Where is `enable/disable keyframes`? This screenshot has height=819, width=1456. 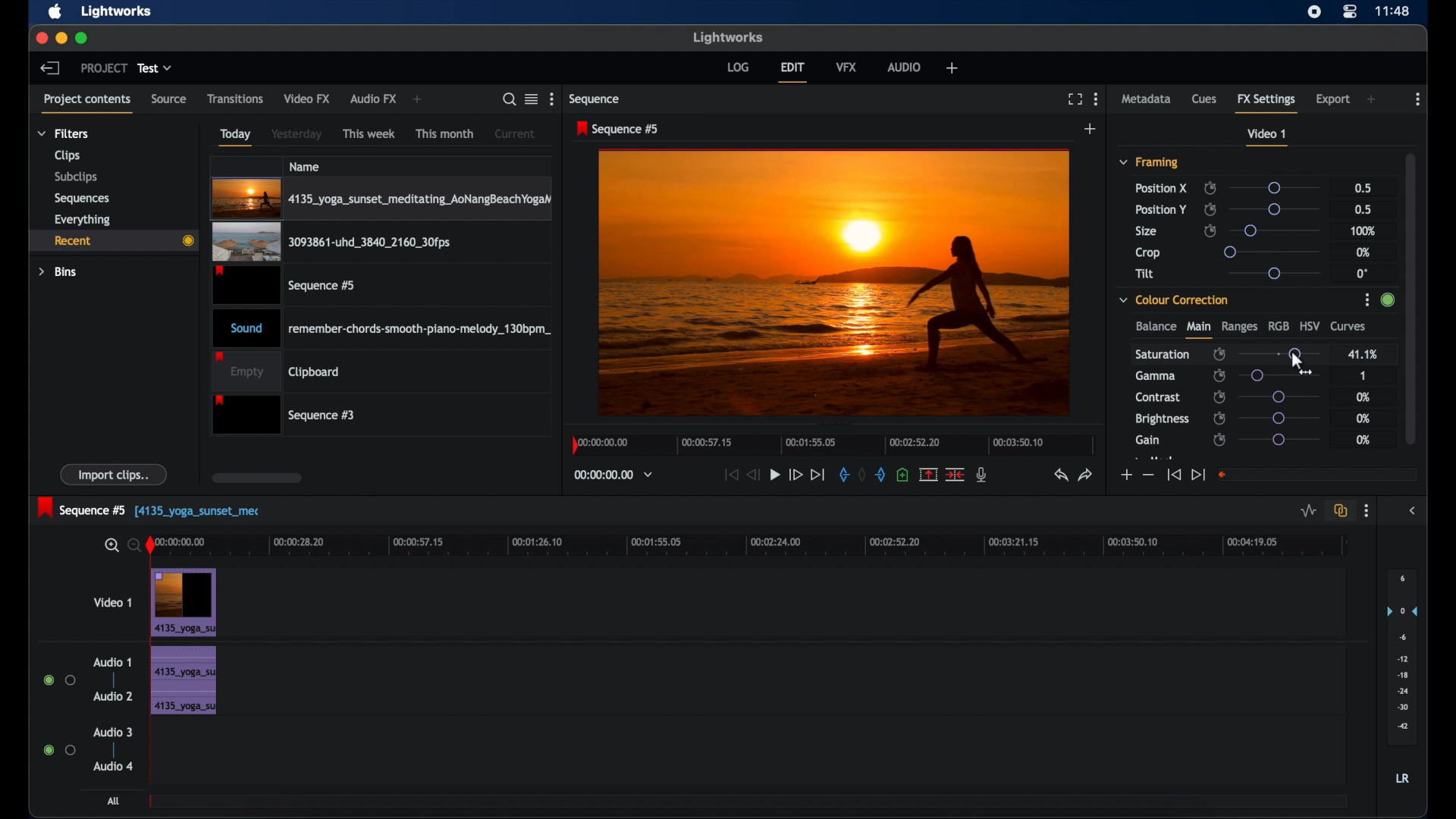
enable/disable keyframes is located at coordinates (1220, 397).